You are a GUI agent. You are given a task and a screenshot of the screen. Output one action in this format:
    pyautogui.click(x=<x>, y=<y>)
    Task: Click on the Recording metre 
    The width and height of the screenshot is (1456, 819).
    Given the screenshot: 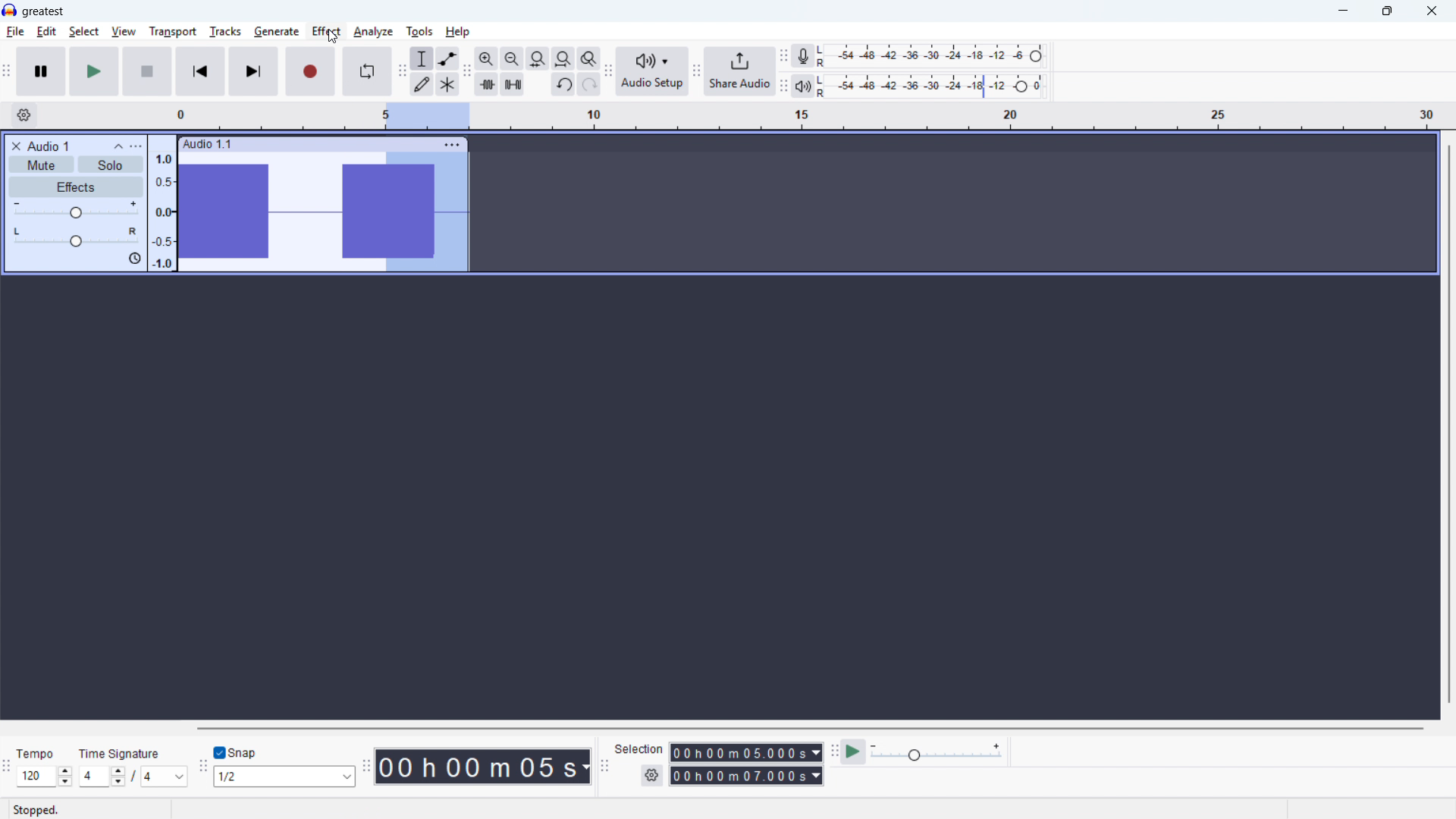 What is the action you would take?
    pyautogui.click(x=802, y=56)
    